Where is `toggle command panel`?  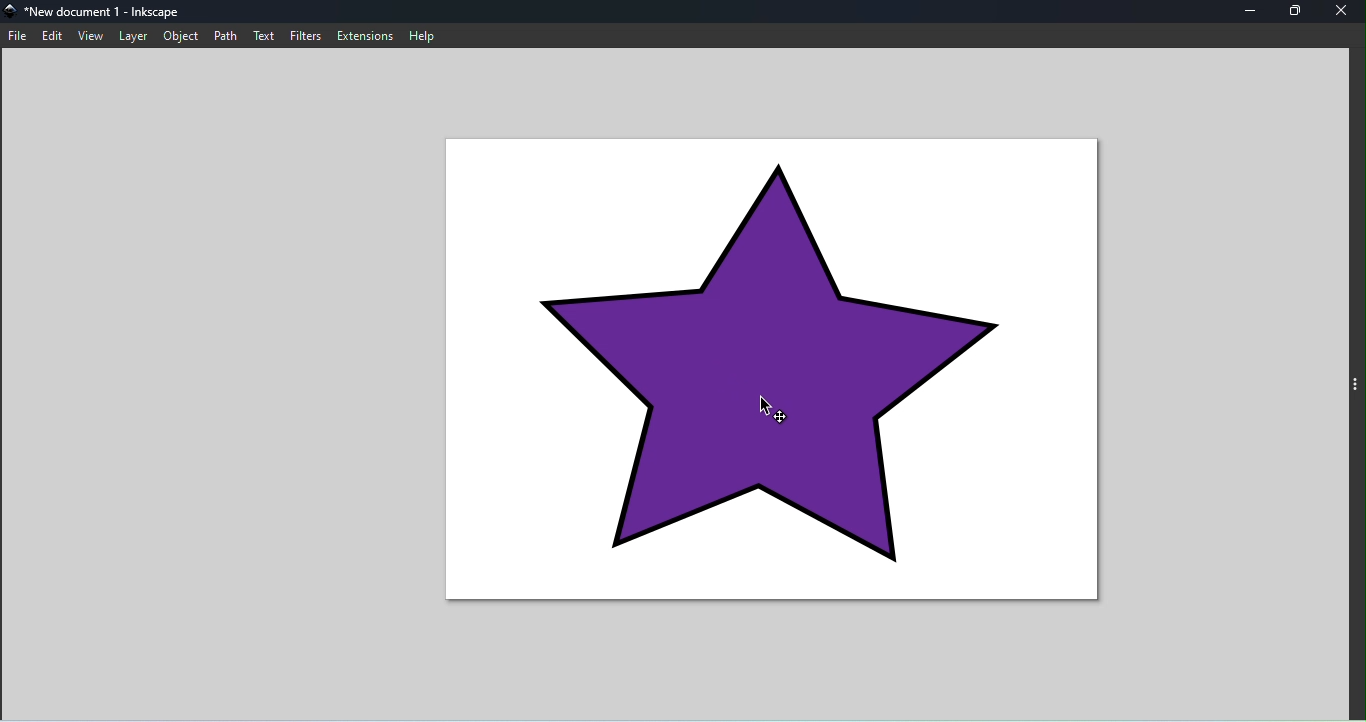 toggle command panel is located at coordinates (1357, 388).